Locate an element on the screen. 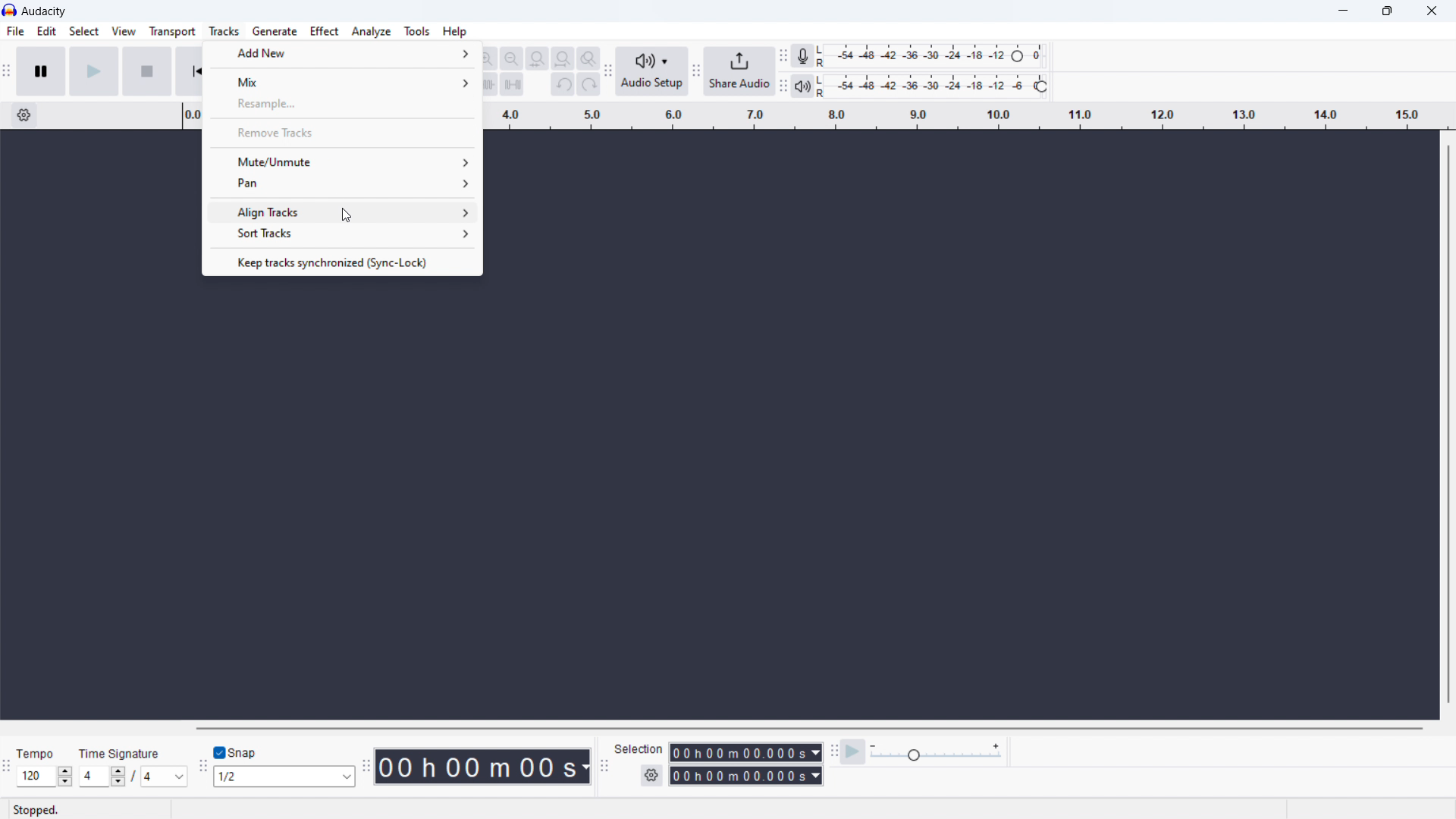 The width and height of the screenshot is (1456, 819). audio setup is located at coordinates (653, 71).